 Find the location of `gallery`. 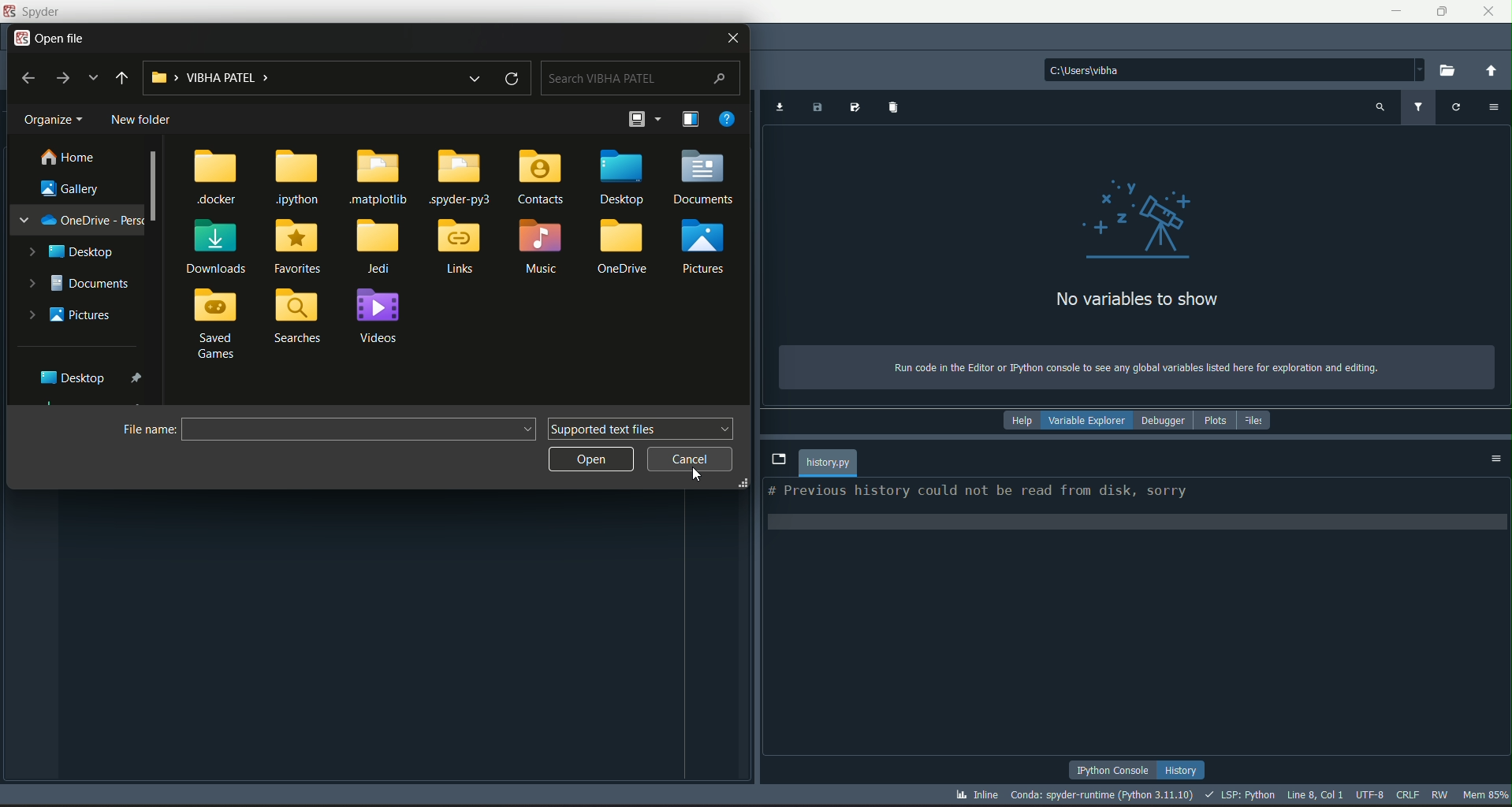

gallery is located at coordinates (73, 189).